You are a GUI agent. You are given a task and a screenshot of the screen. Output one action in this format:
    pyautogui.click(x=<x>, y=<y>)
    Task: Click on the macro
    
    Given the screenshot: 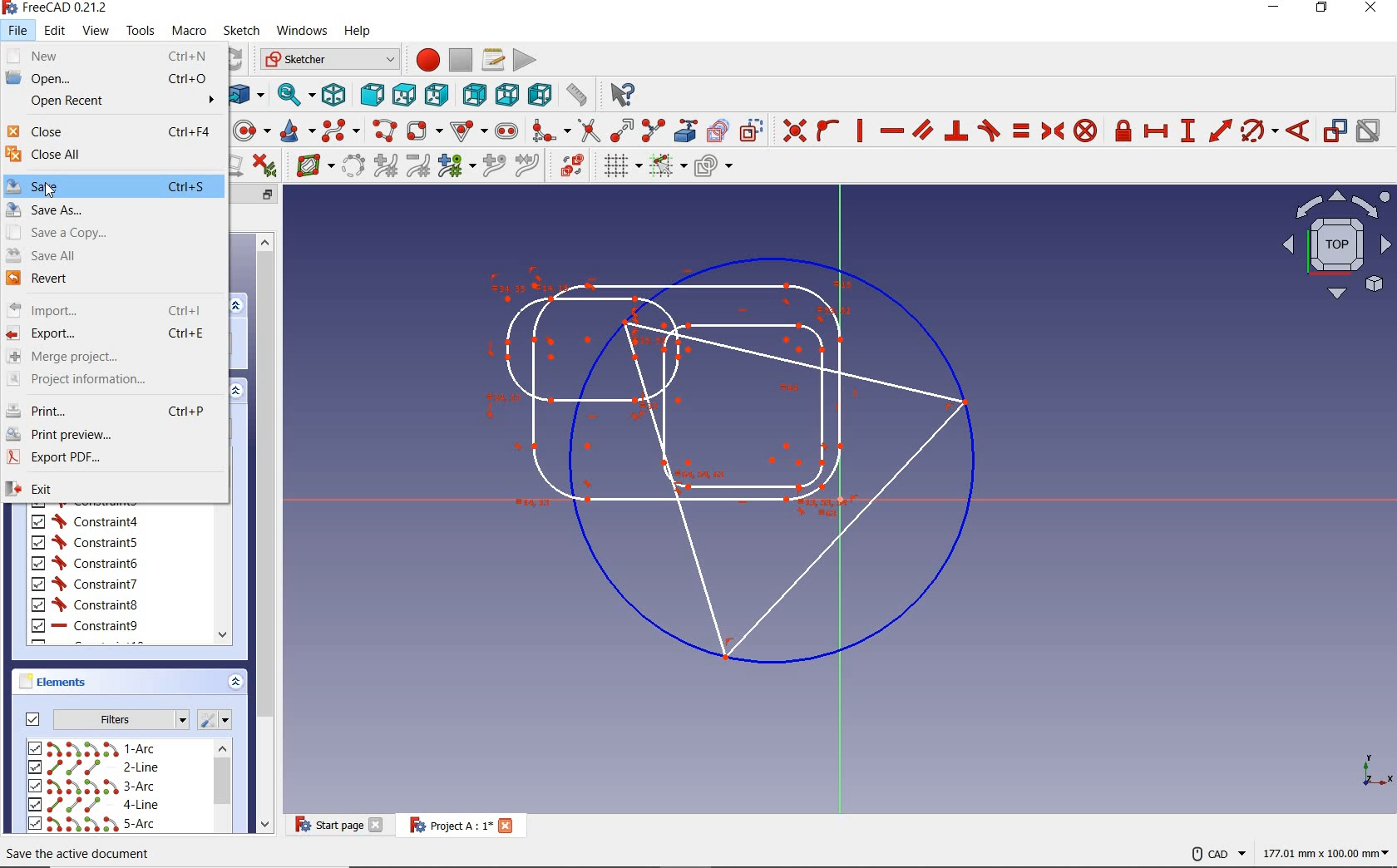 What is the action you would take?
    pyautogui.click(x=189, y=33)
    